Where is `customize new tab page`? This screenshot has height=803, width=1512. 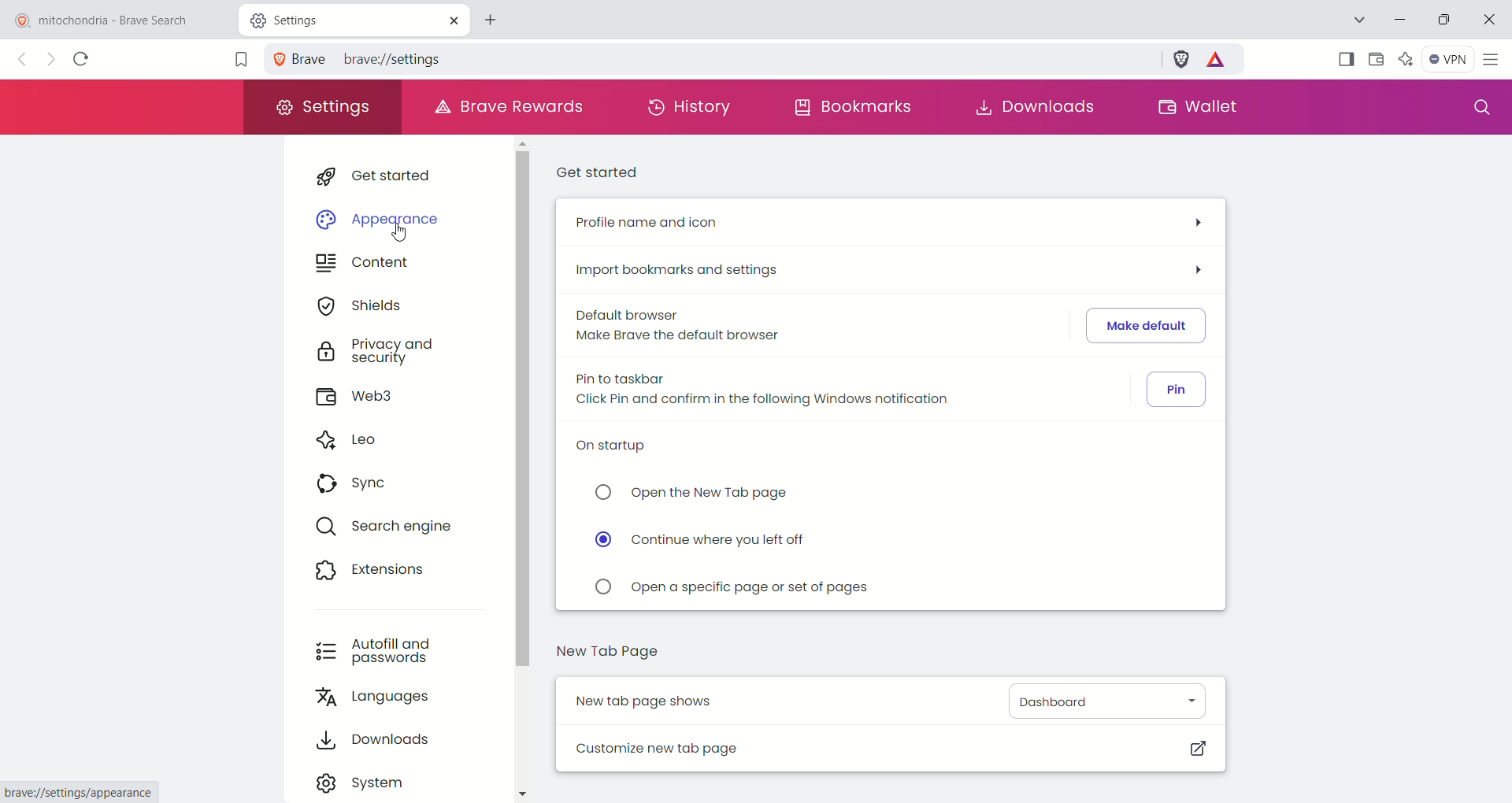 customize new tab page is located at coordinates (888, 748).